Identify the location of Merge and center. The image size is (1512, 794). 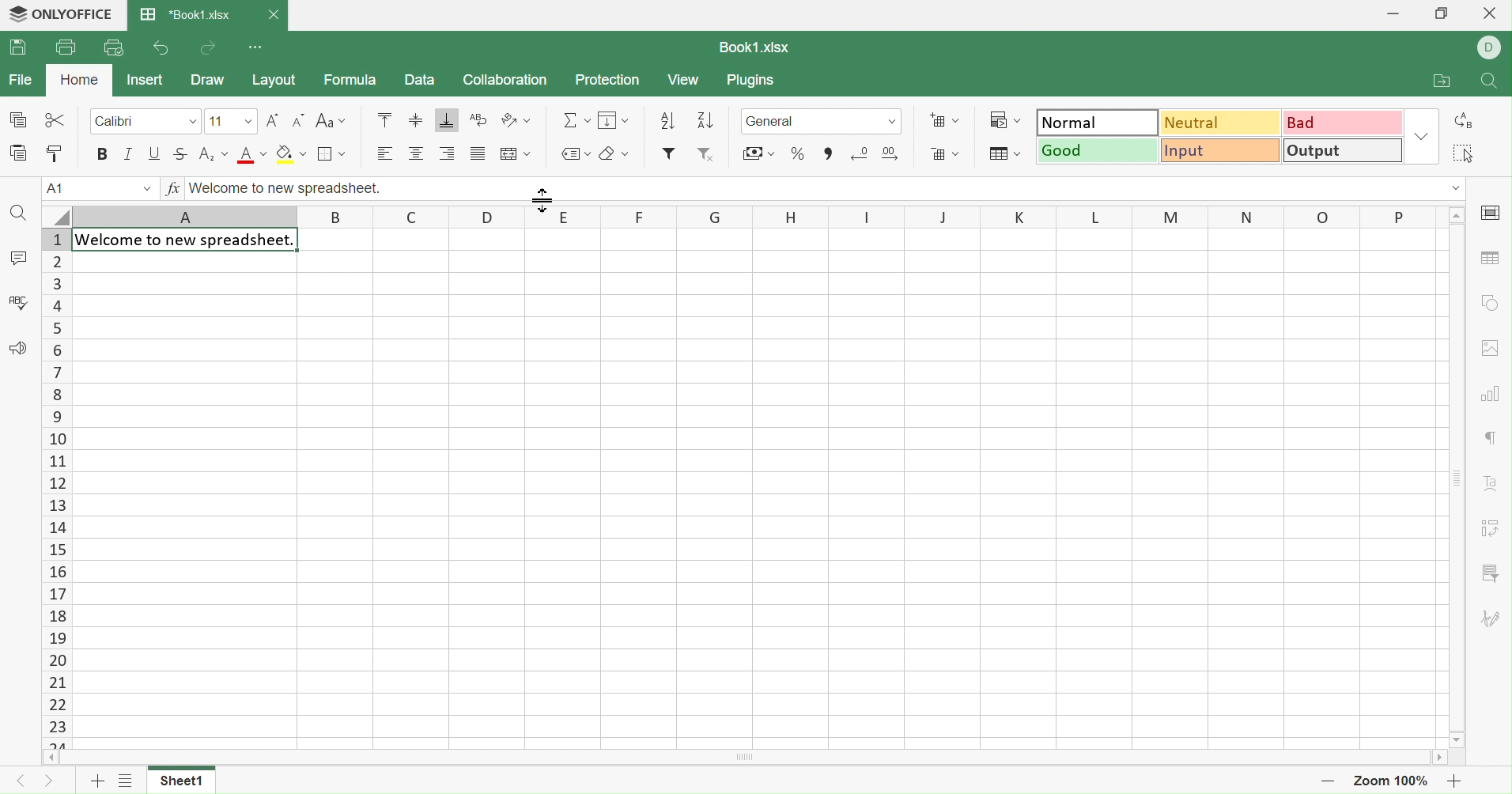
(516, 153).